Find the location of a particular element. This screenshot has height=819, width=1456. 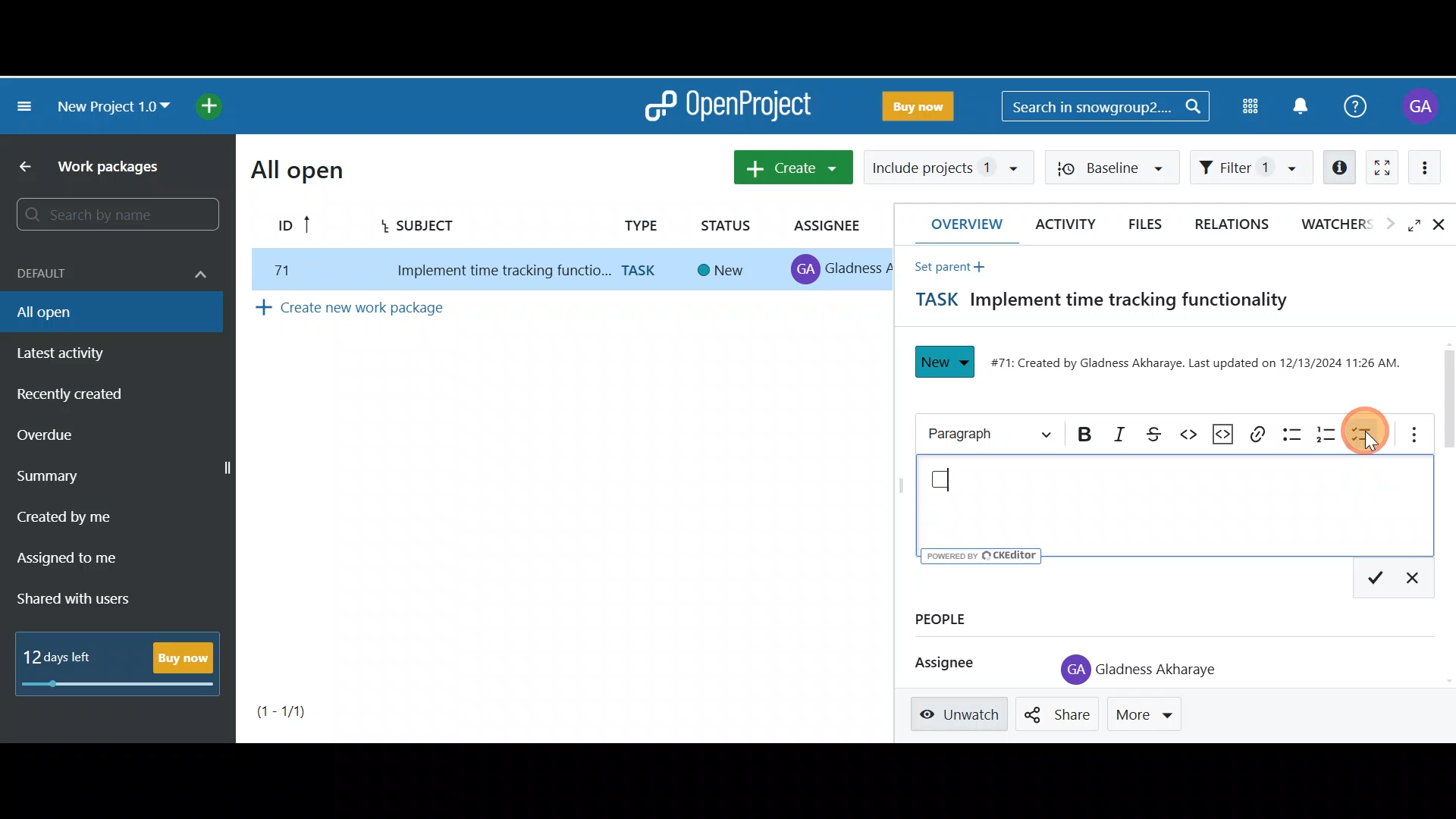

To-do list is located at coordinates (1366, 432).